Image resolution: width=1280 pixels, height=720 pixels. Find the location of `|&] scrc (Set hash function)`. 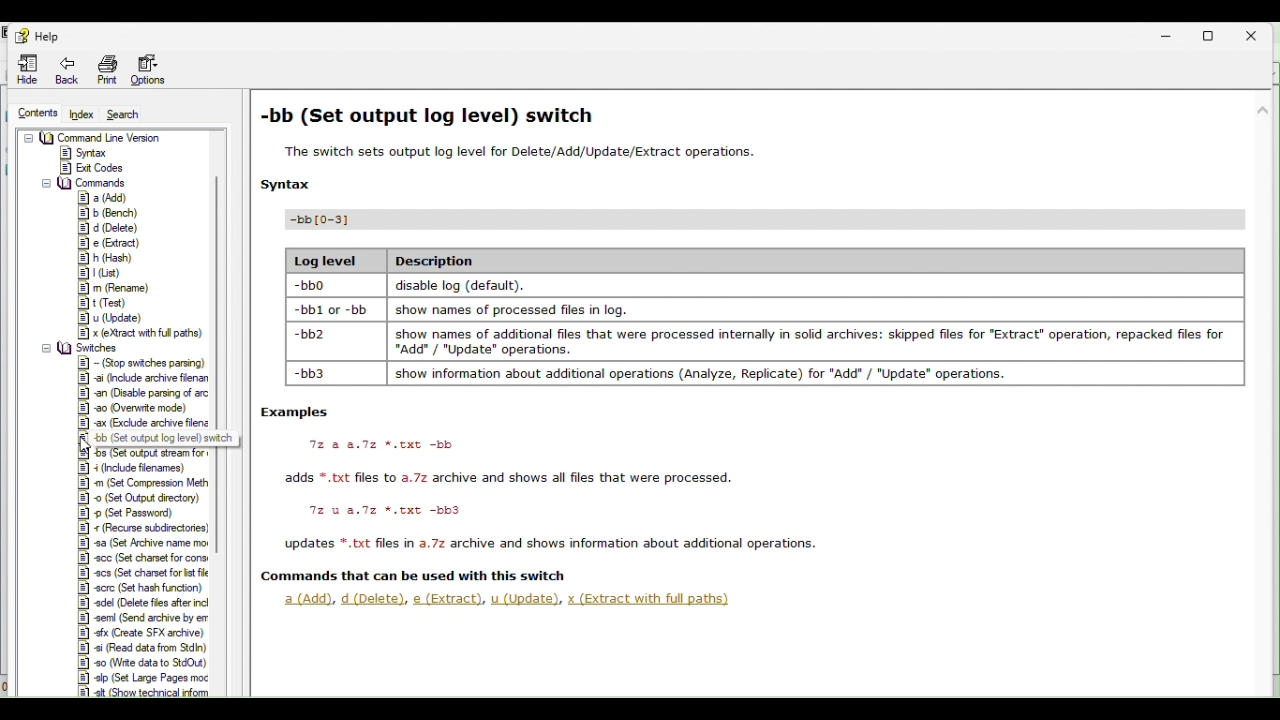

|&] scrc (Set hash function) is located at coordinates (139, 588).